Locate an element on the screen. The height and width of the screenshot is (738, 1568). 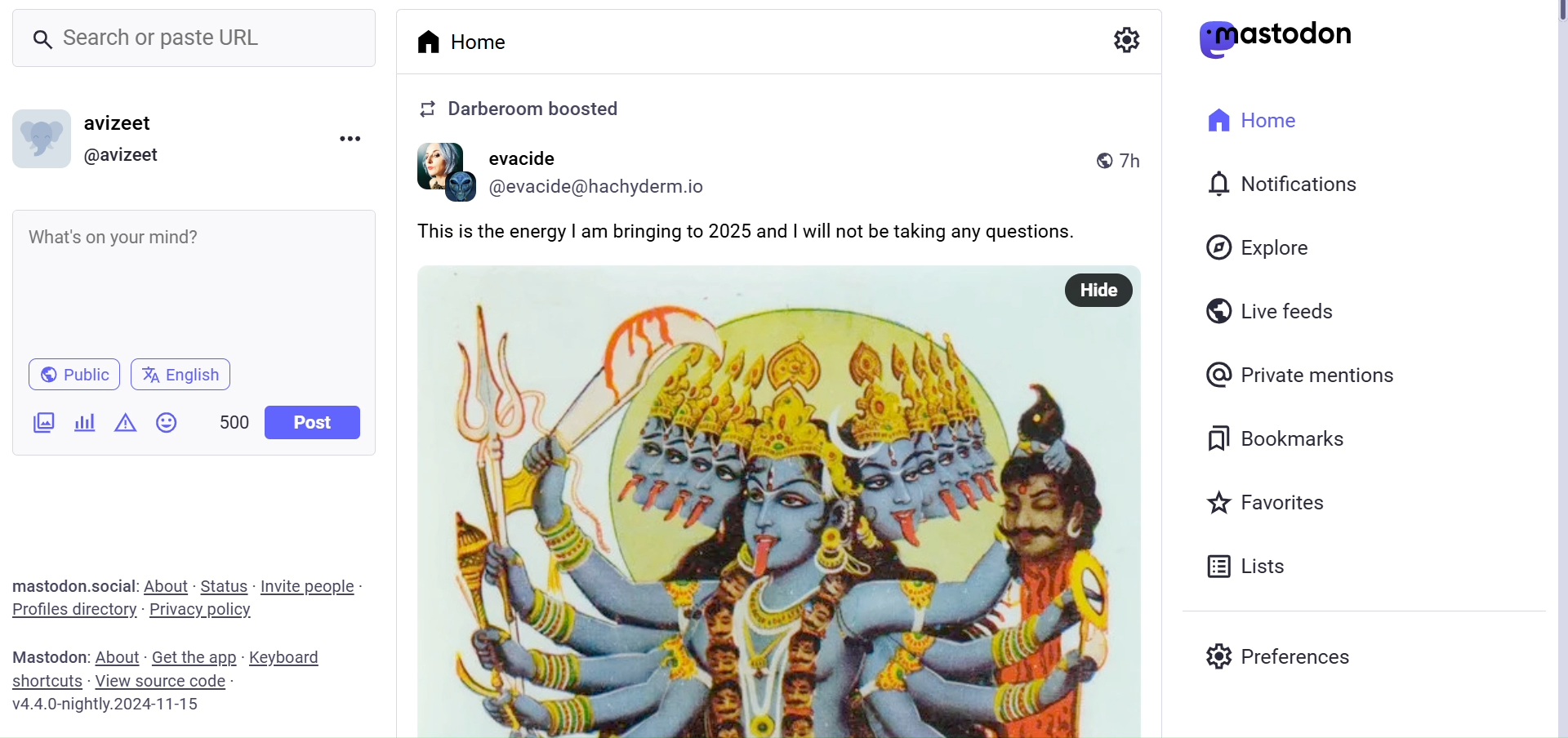
Word Limit is located at coordinates (235, 422).